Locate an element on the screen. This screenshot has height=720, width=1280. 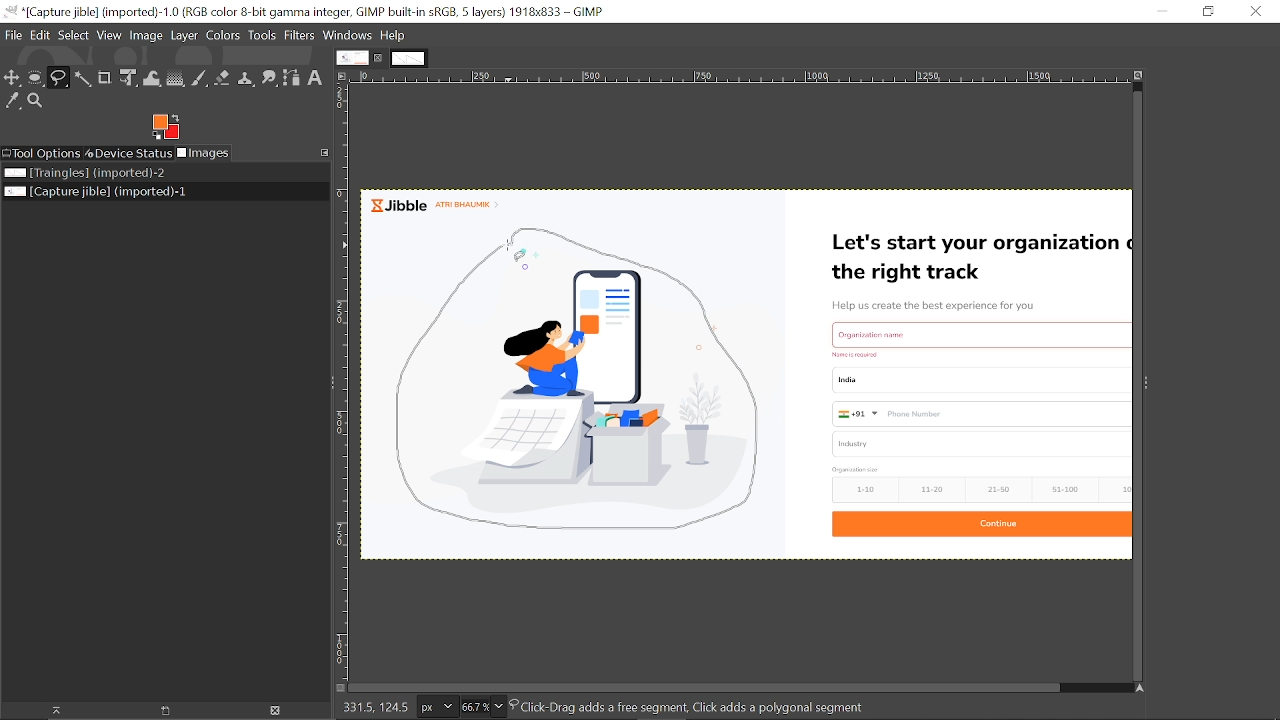
Foreground color is located at coordinates (166, 127).